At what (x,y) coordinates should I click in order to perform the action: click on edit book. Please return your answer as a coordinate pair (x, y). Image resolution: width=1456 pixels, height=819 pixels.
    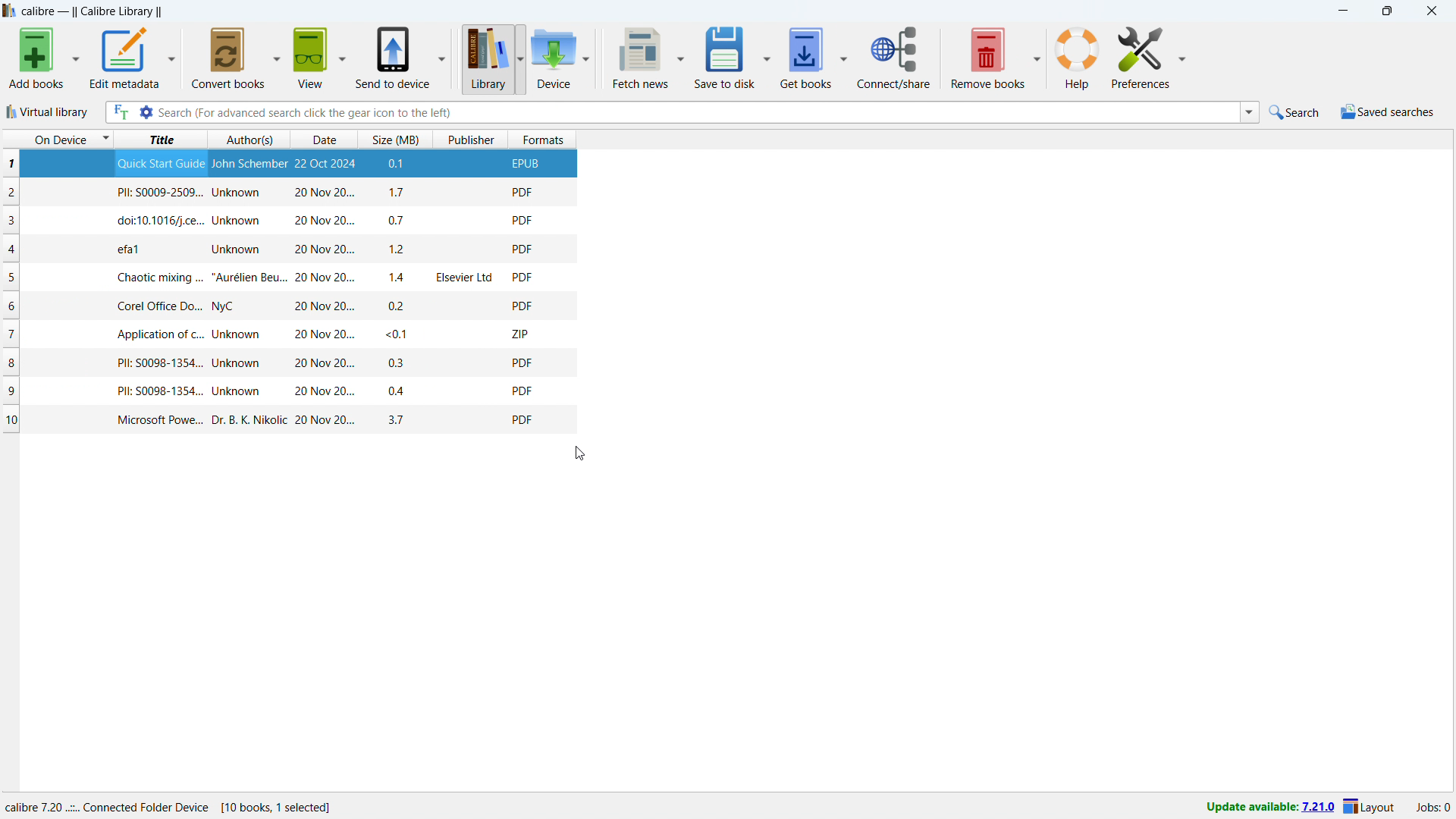
    Looking at the image, I should click on (1140, 57).